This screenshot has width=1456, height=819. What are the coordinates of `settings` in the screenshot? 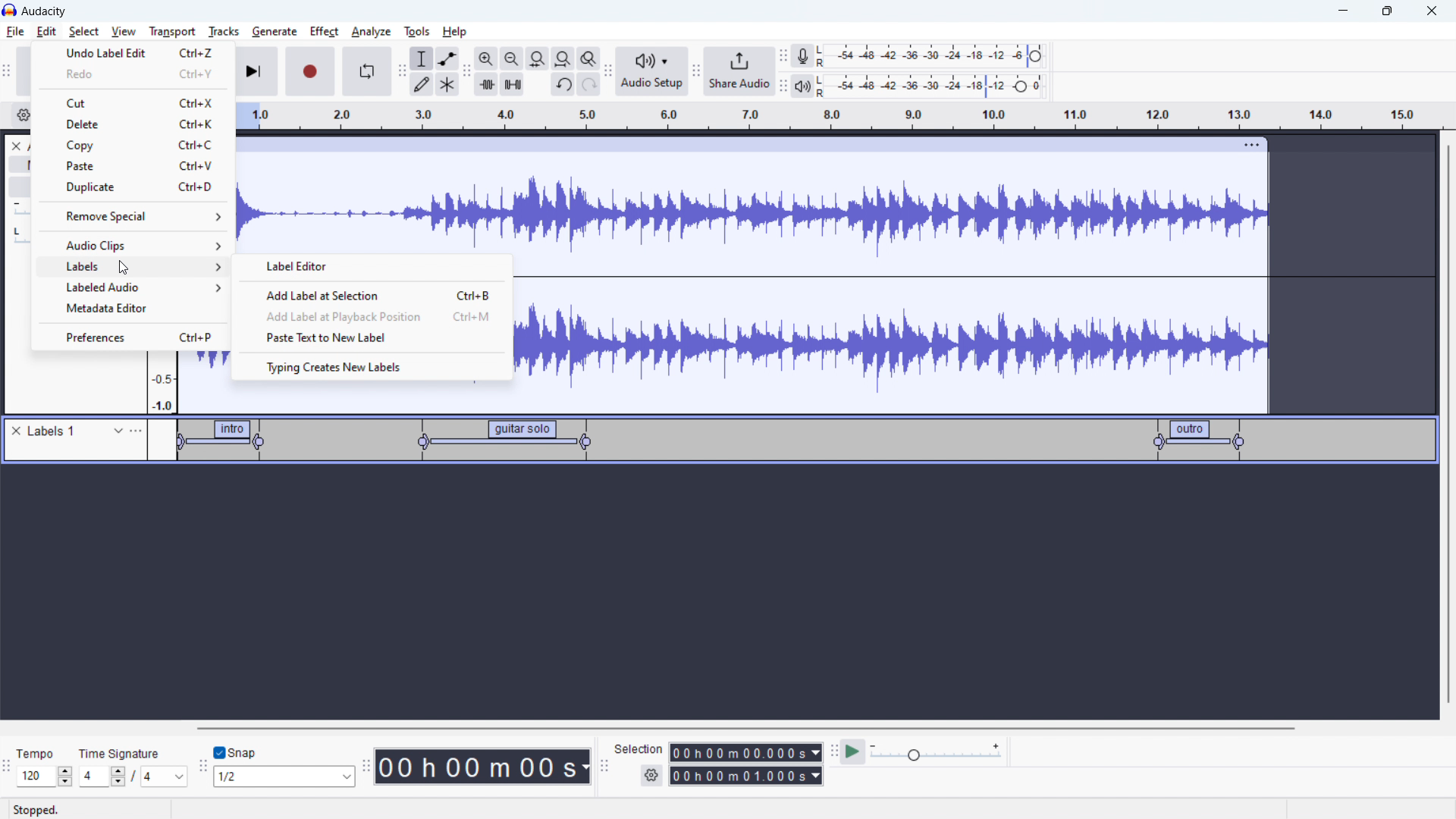 It's located at (22, 117).